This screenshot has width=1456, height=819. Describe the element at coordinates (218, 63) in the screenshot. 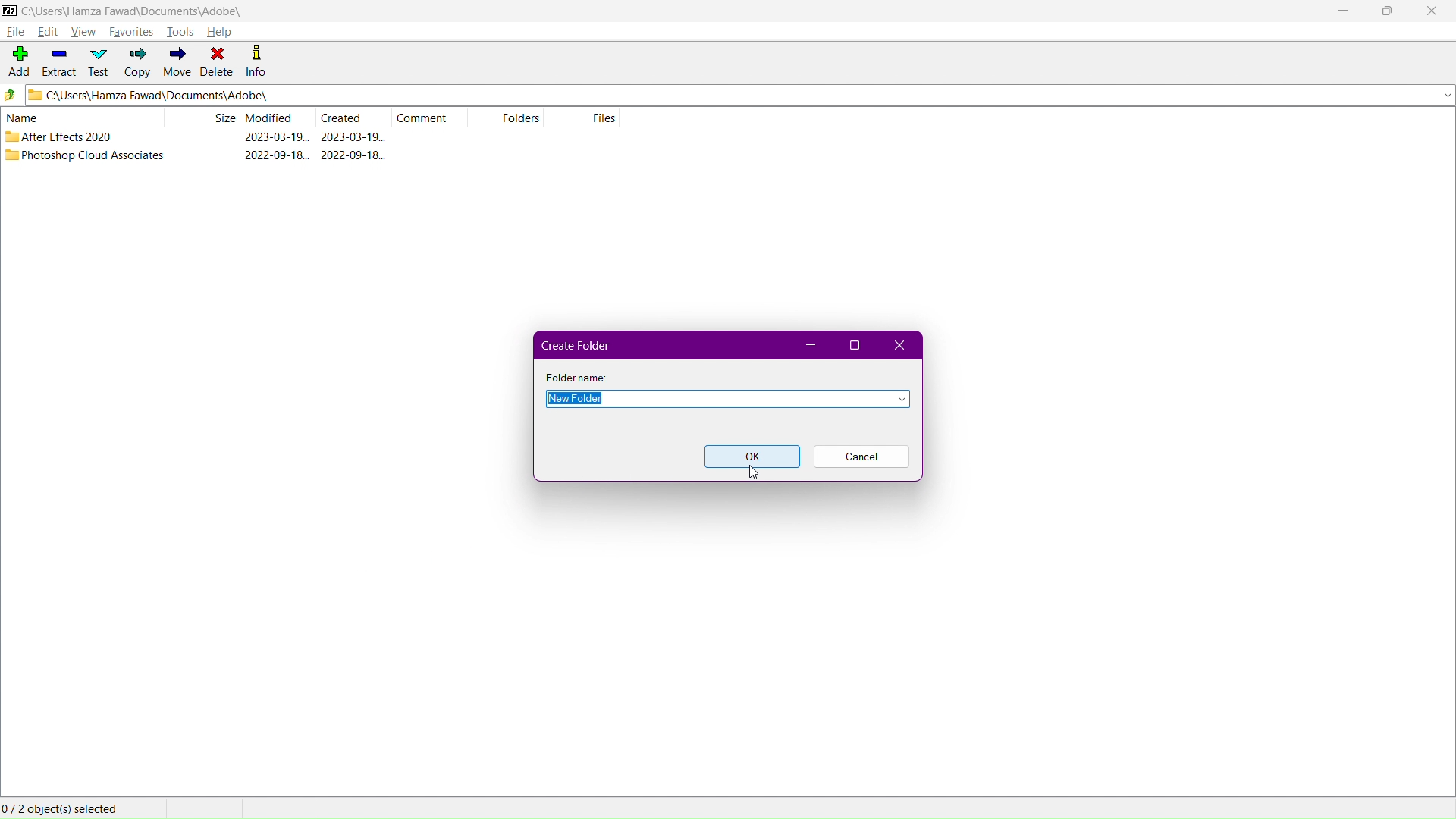

I see `Delete` at that location.